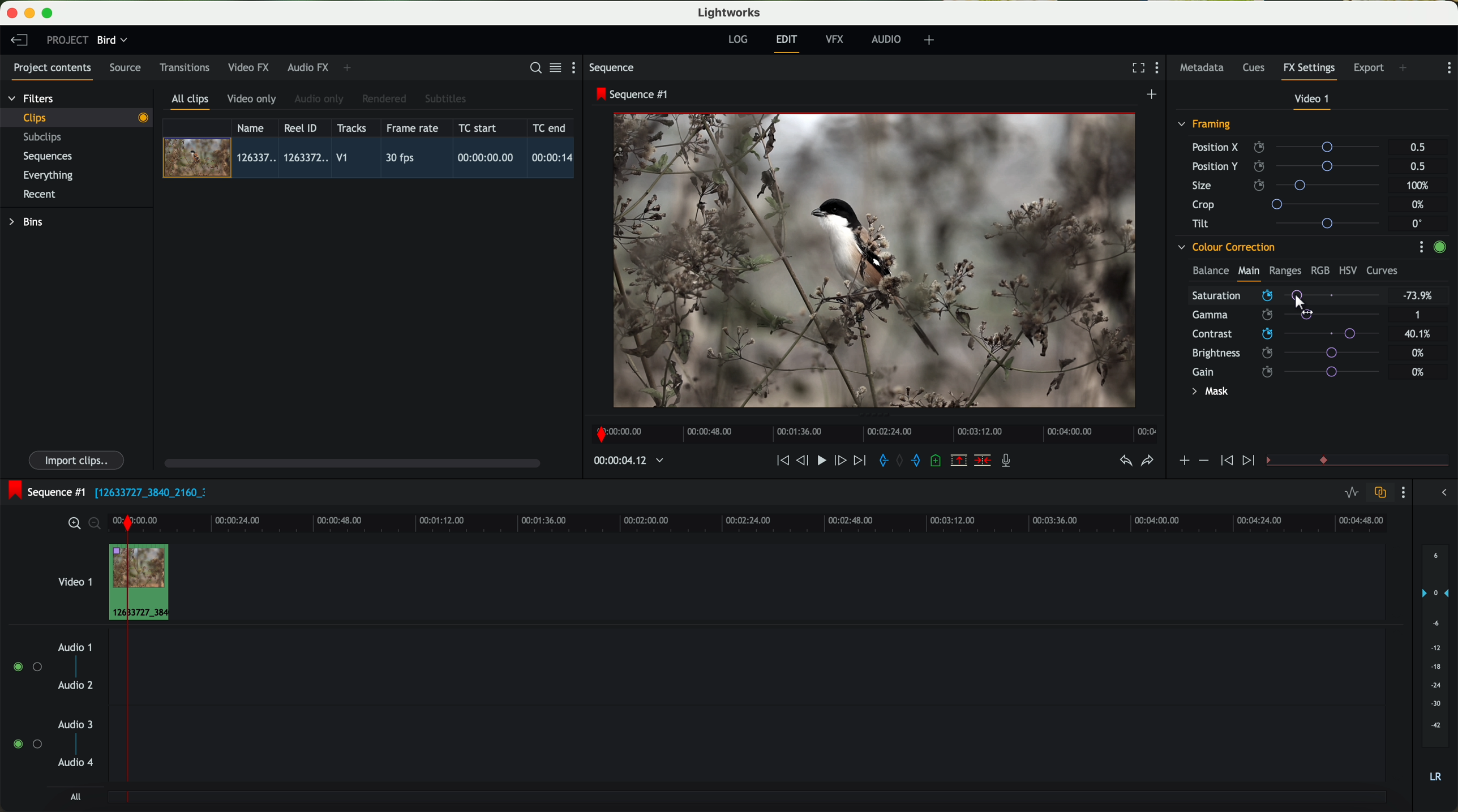 This screenshot has width=1458, height=812. What do you see at coordinates (1285, 270) in the screenshot?
I see `ranges` at bounding box center [1285, 270].